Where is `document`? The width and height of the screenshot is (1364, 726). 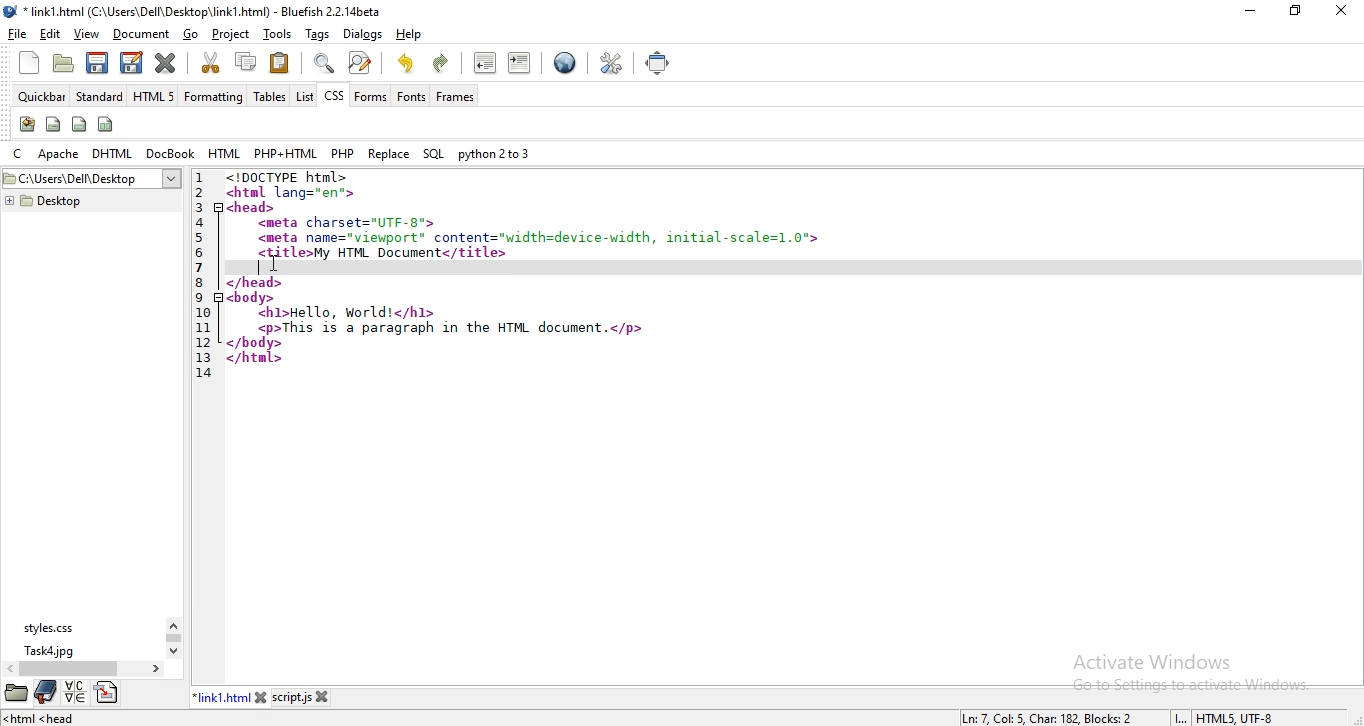 document is located at coordinates (141, 32).